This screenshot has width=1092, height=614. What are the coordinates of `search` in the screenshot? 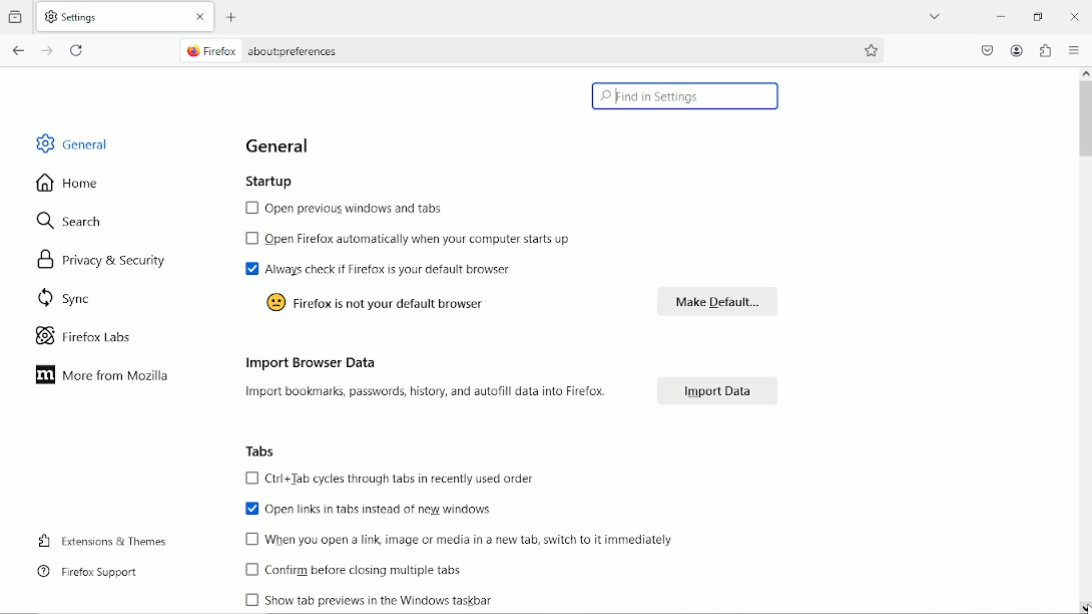 It's located at (70, 222).